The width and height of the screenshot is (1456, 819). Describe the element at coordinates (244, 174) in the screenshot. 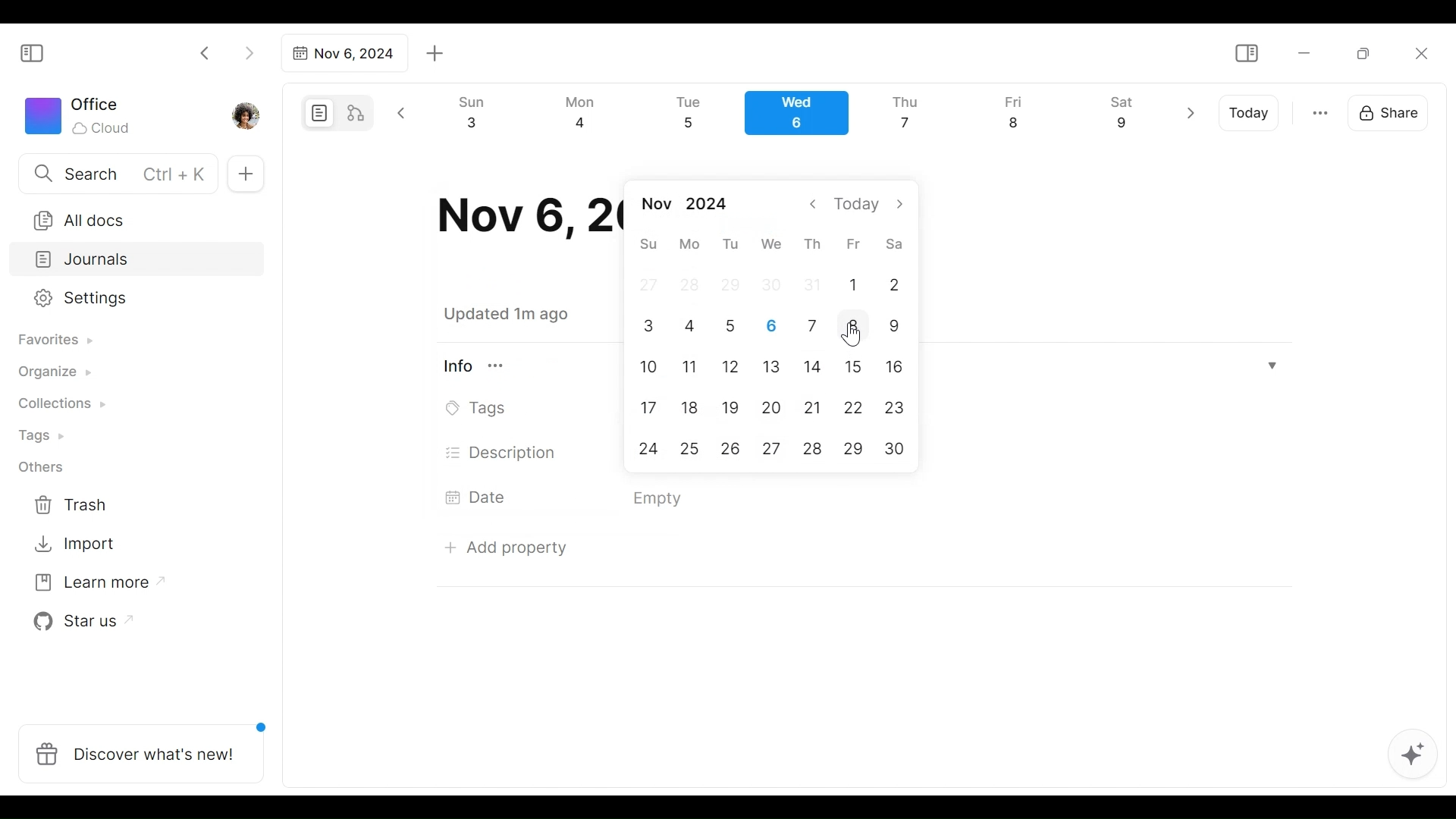

I see `Add new ` at that location.